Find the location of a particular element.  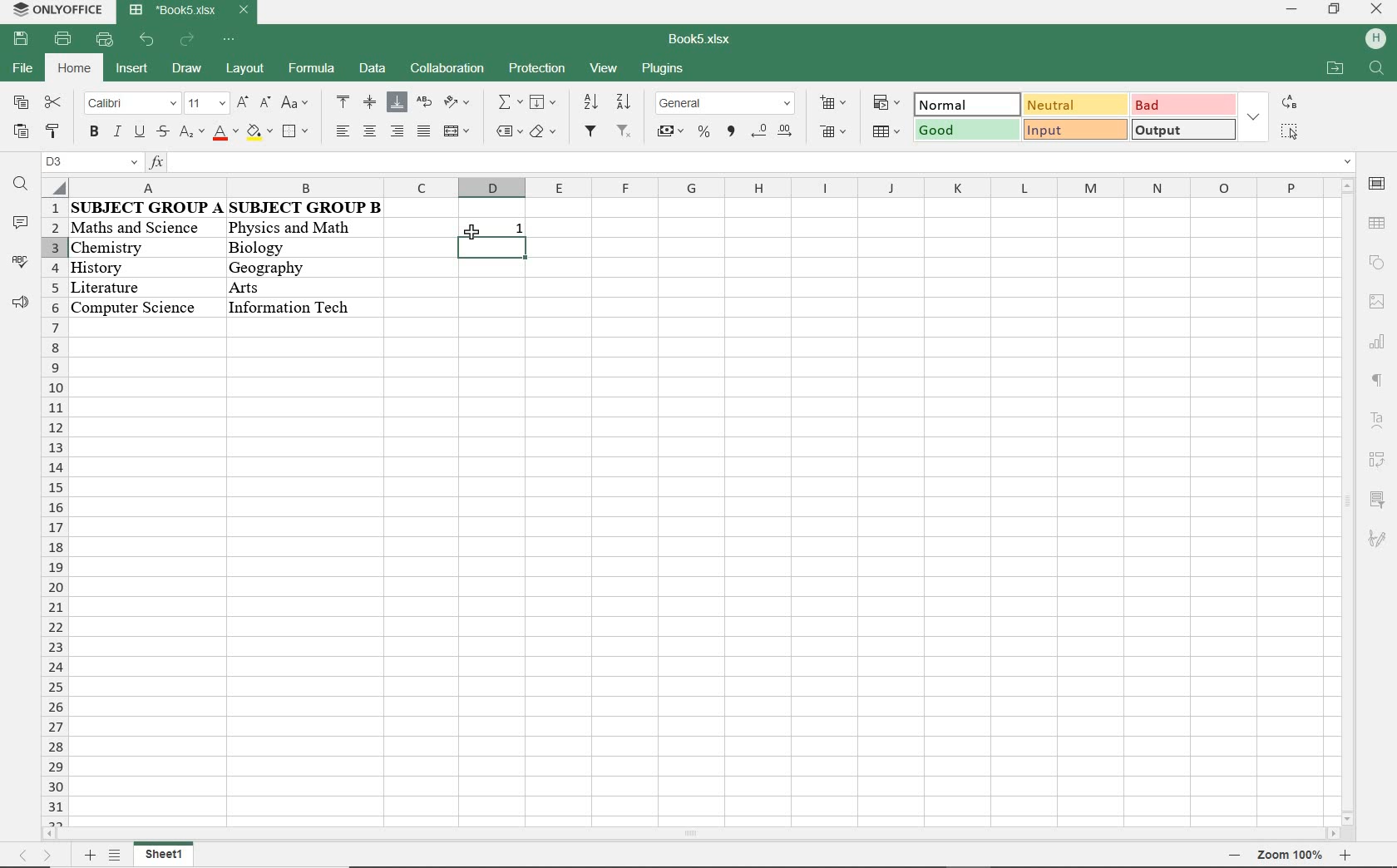

customize quick access toolbar is located at coordinates (104, 40).